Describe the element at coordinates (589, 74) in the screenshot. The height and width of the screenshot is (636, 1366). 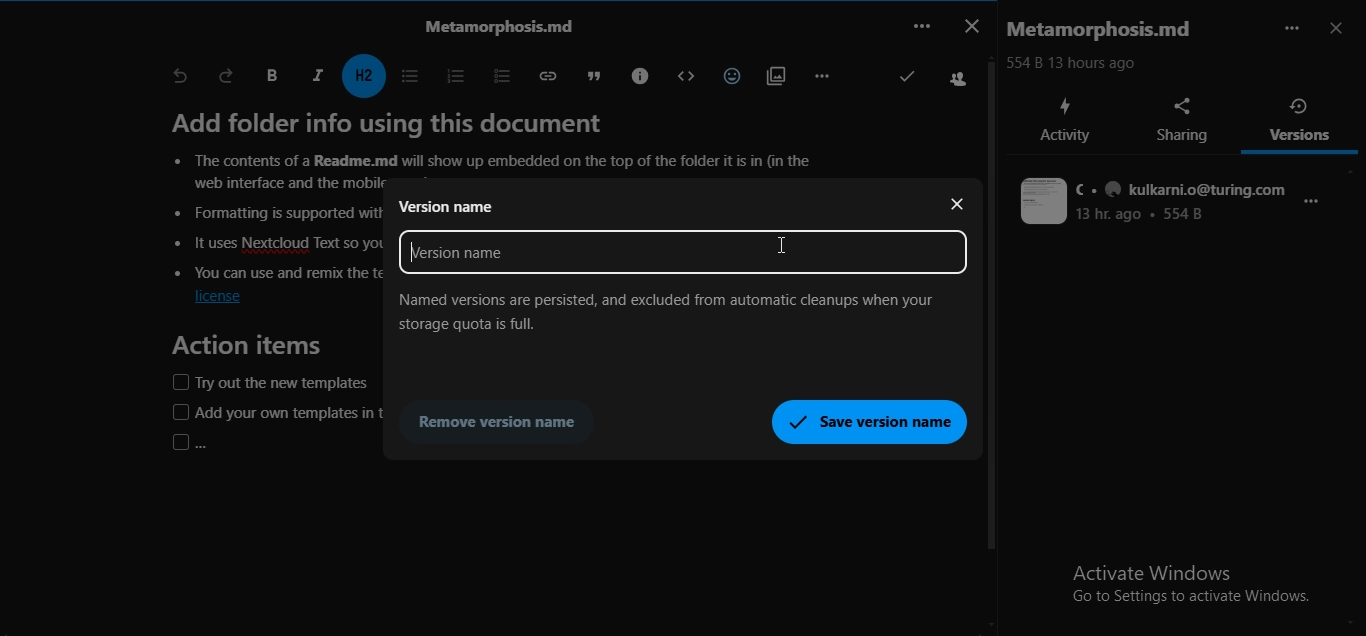
I see `blockquote` at that location.